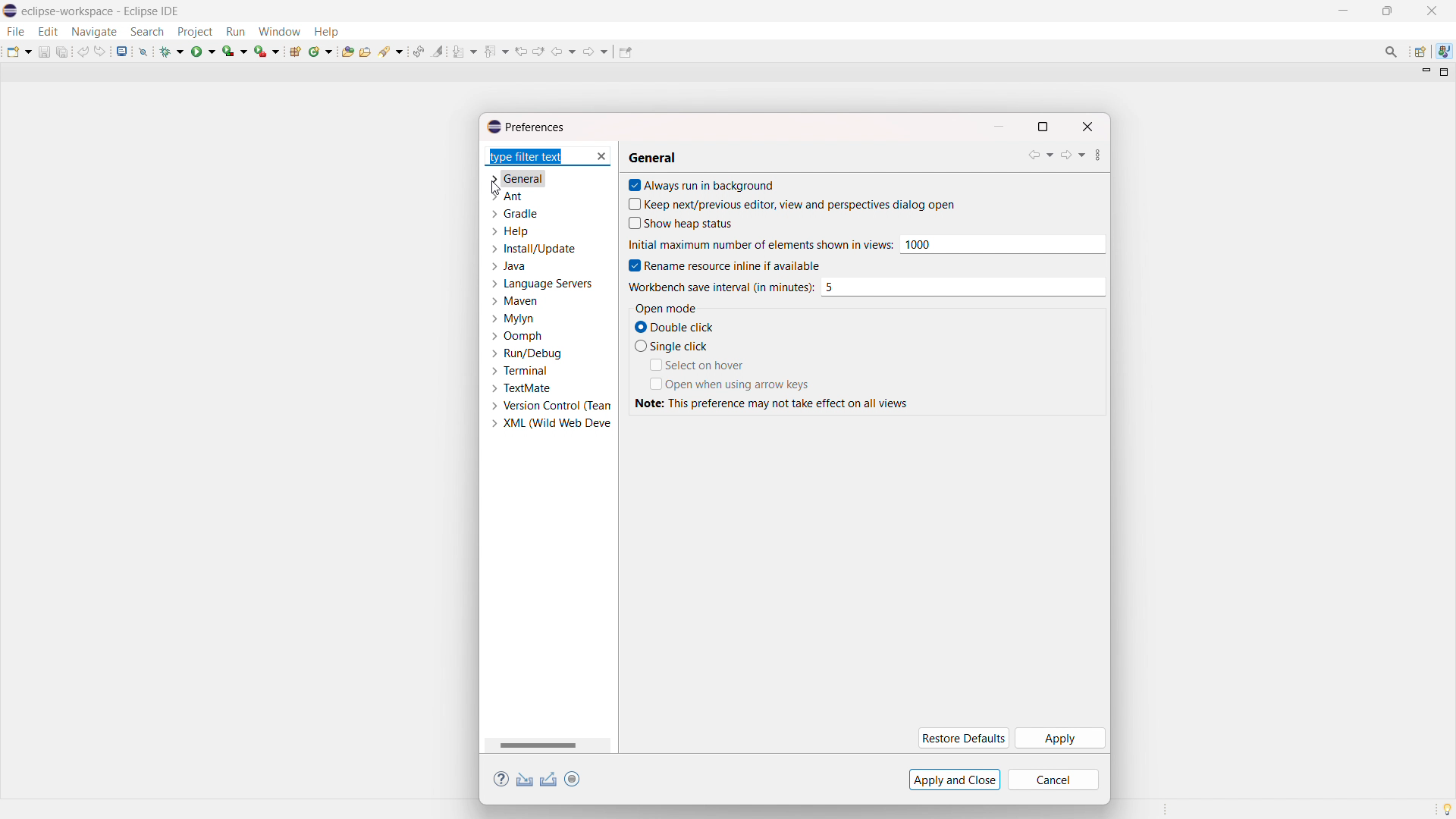 The height and width of the screenshot is (819, 1456). Describe the element at coordinates (509, 231) in the screenshot. I see `help` at that location.